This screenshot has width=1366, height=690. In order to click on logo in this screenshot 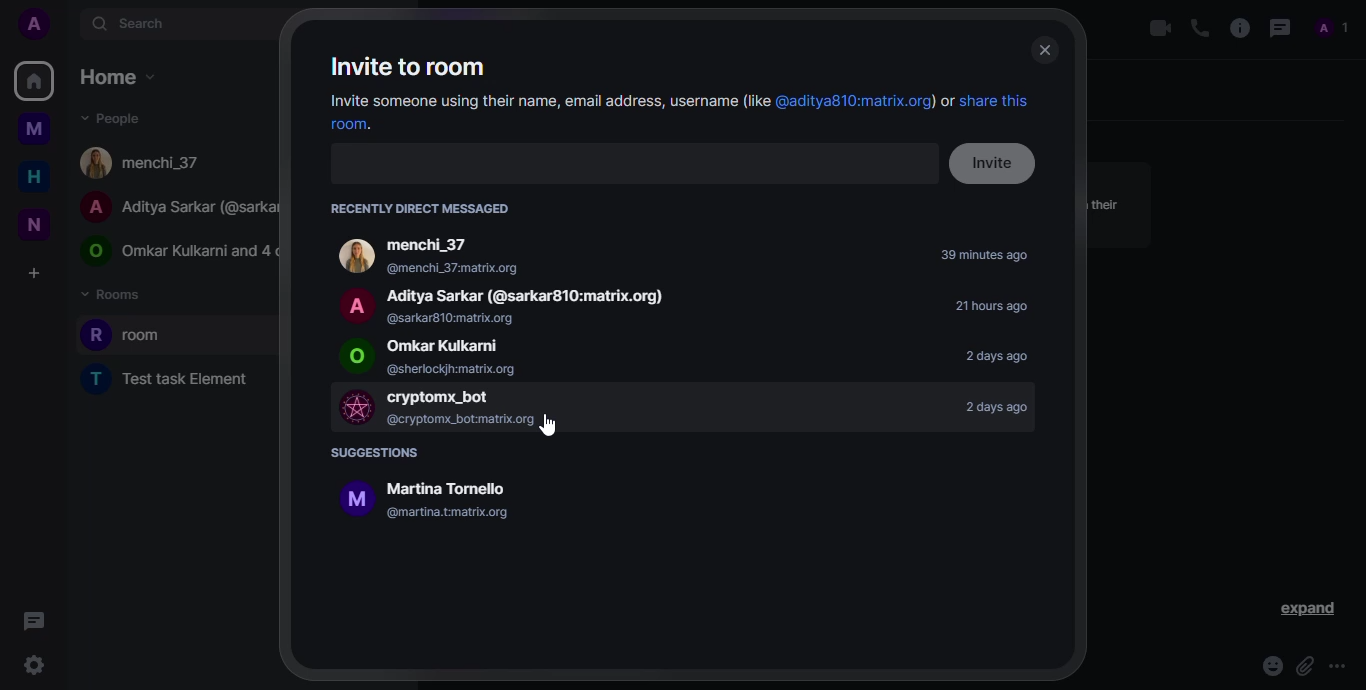, I will do `click(356, 356)`.